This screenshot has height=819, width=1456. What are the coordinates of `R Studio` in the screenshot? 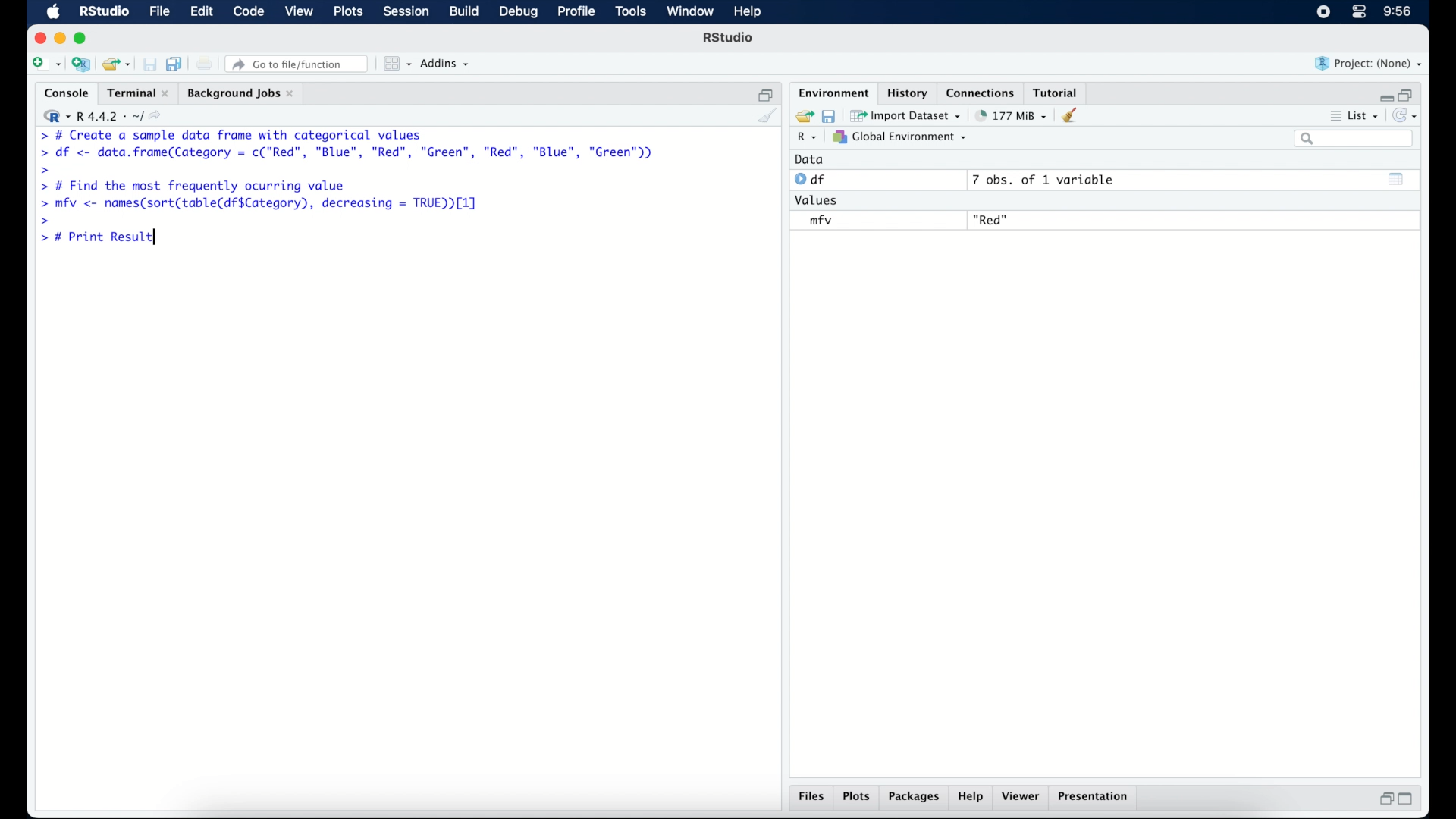 It's located at (730, 38).